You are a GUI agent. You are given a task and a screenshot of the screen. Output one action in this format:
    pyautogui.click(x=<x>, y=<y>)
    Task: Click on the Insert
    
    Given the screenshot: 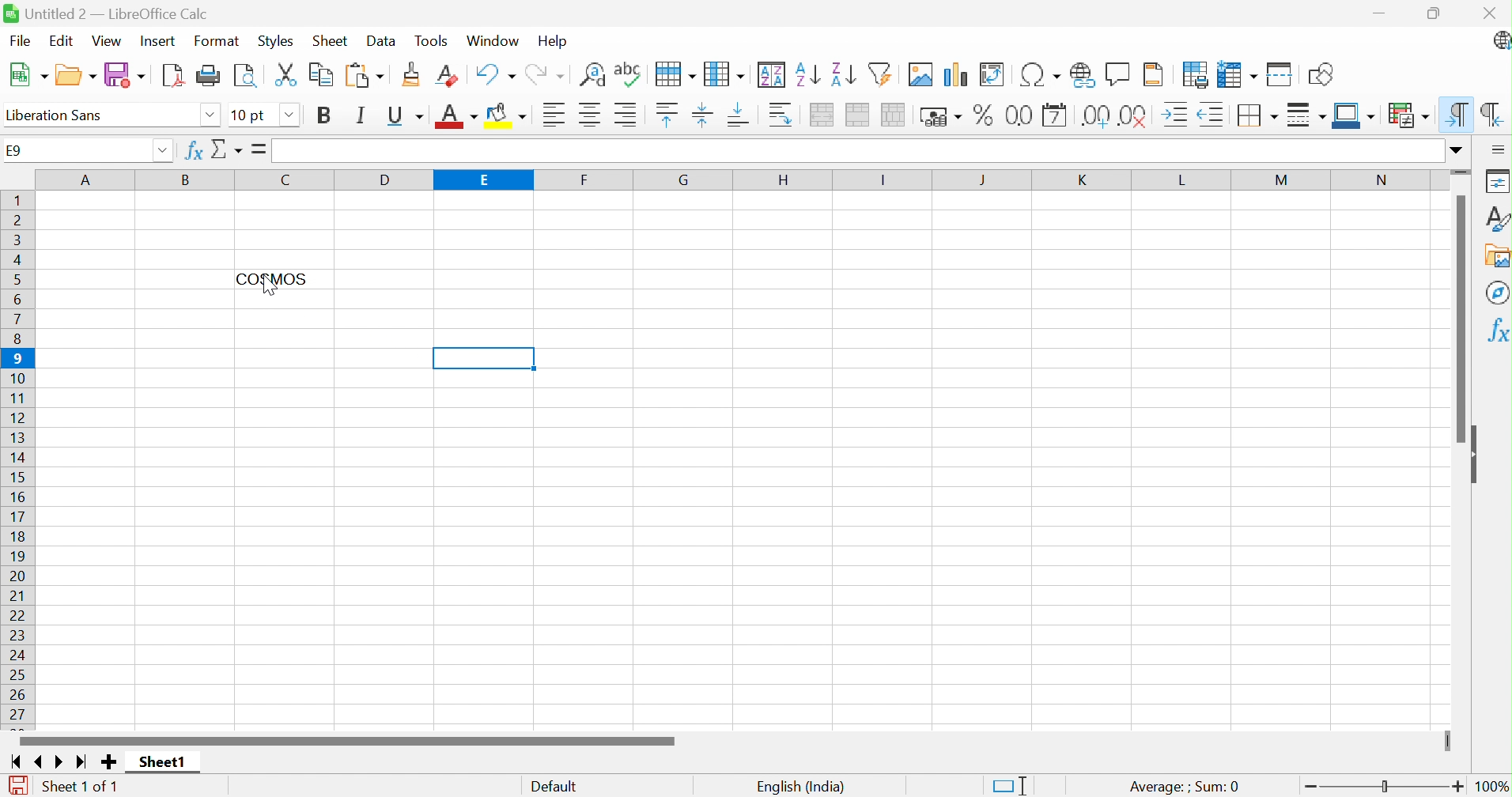 What is the action you would take?
    pyautogui.click(x=158, y=42)
    